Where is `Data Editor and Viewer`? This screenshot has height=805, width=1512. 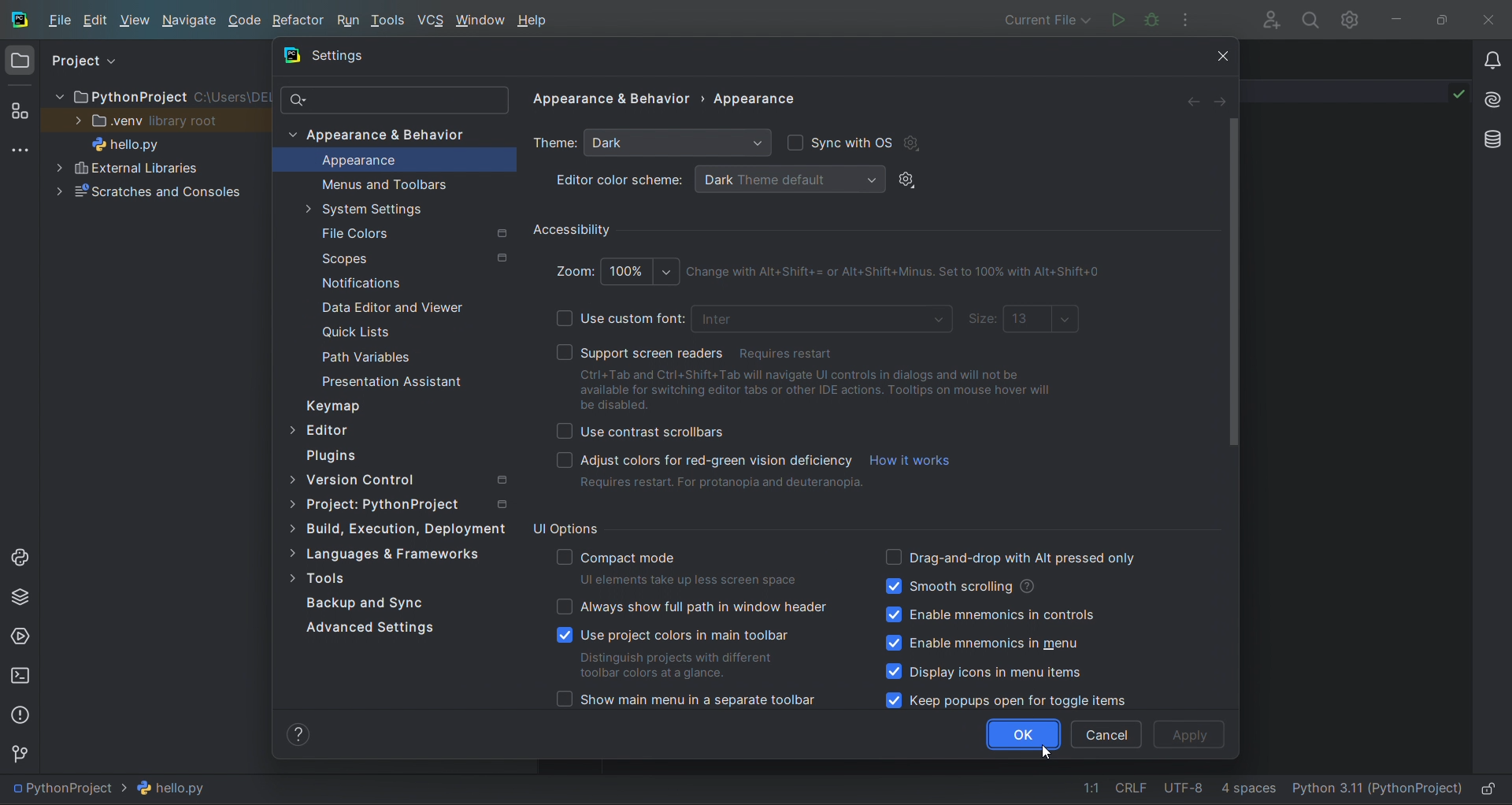
Data Editor and Viewer is located at coordinates (392, 311).